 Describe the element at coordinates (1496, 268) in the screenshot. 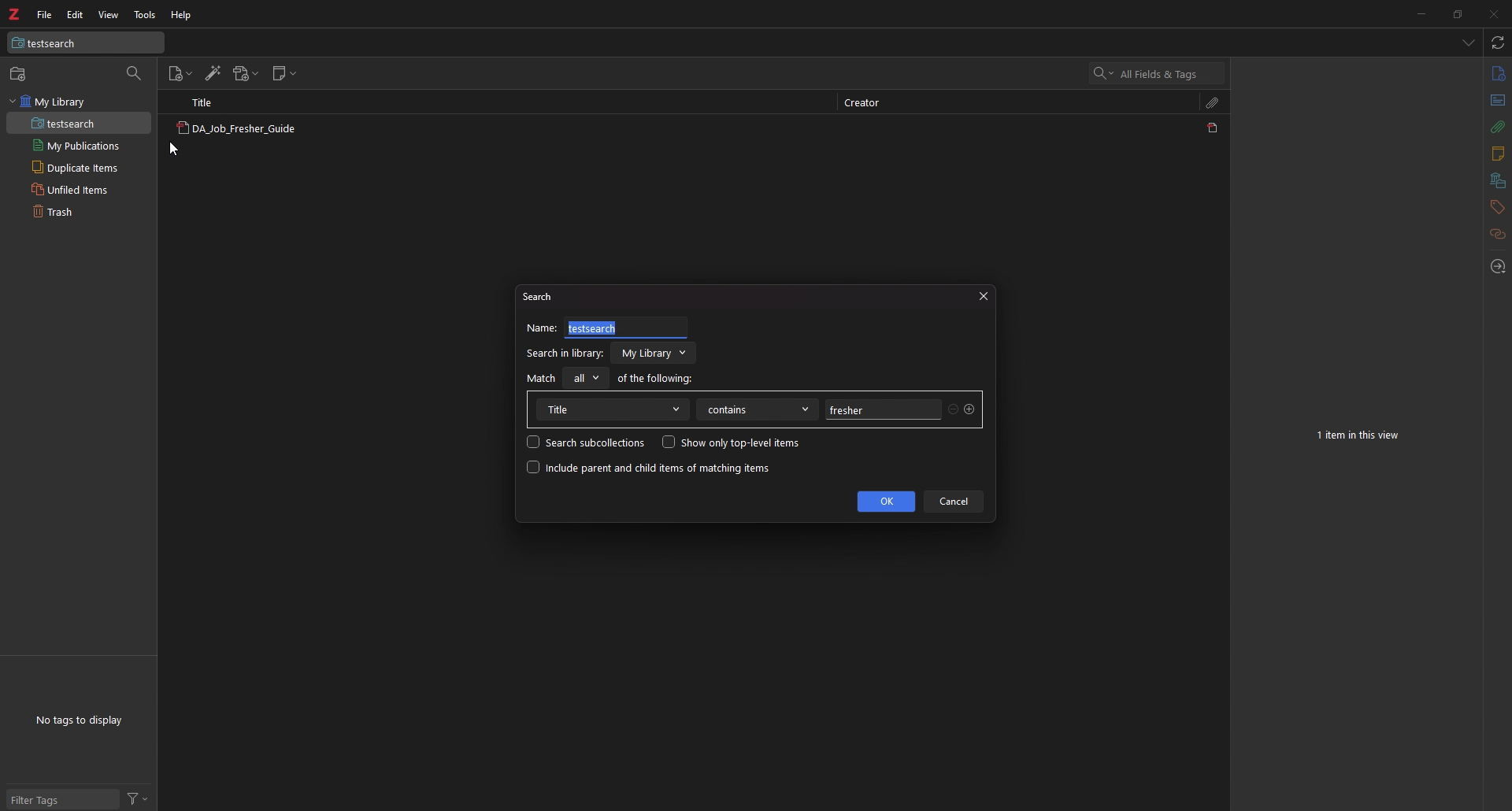

I see `locate` at that location.